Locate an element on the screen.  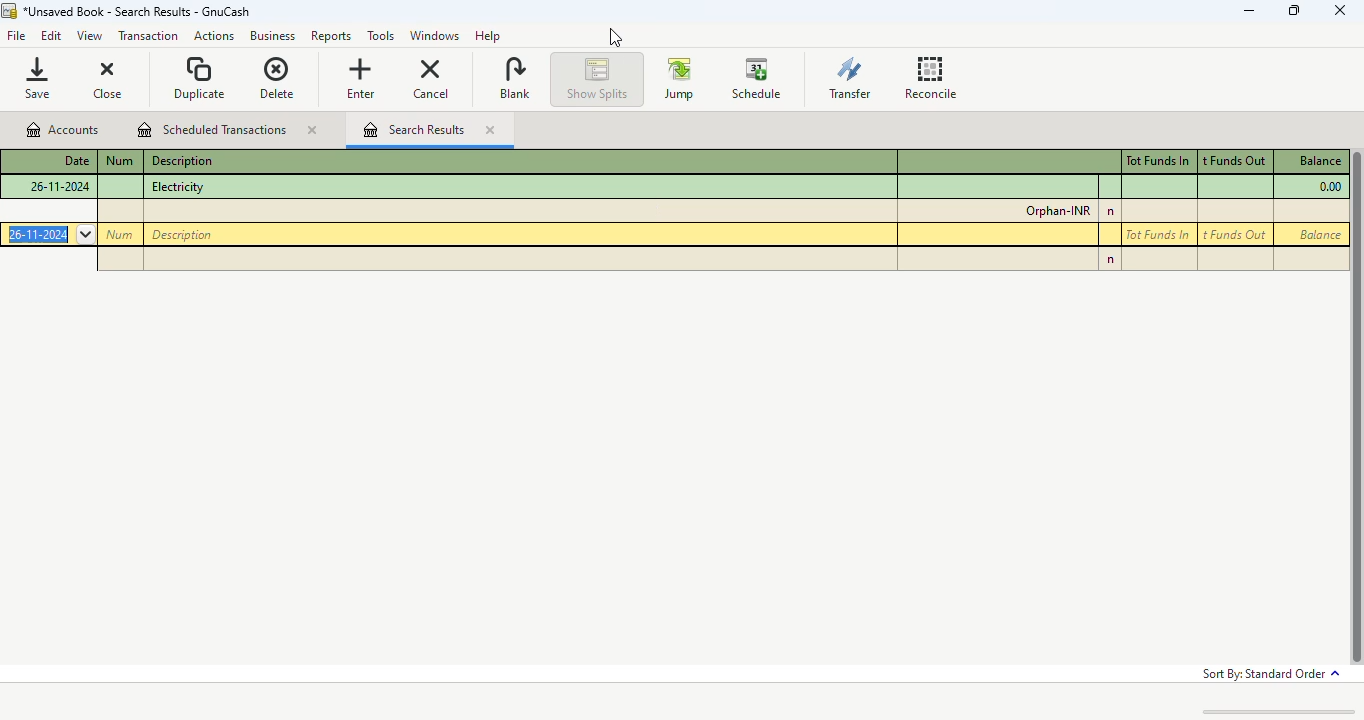
schedule is located at coordinates (756, 77).